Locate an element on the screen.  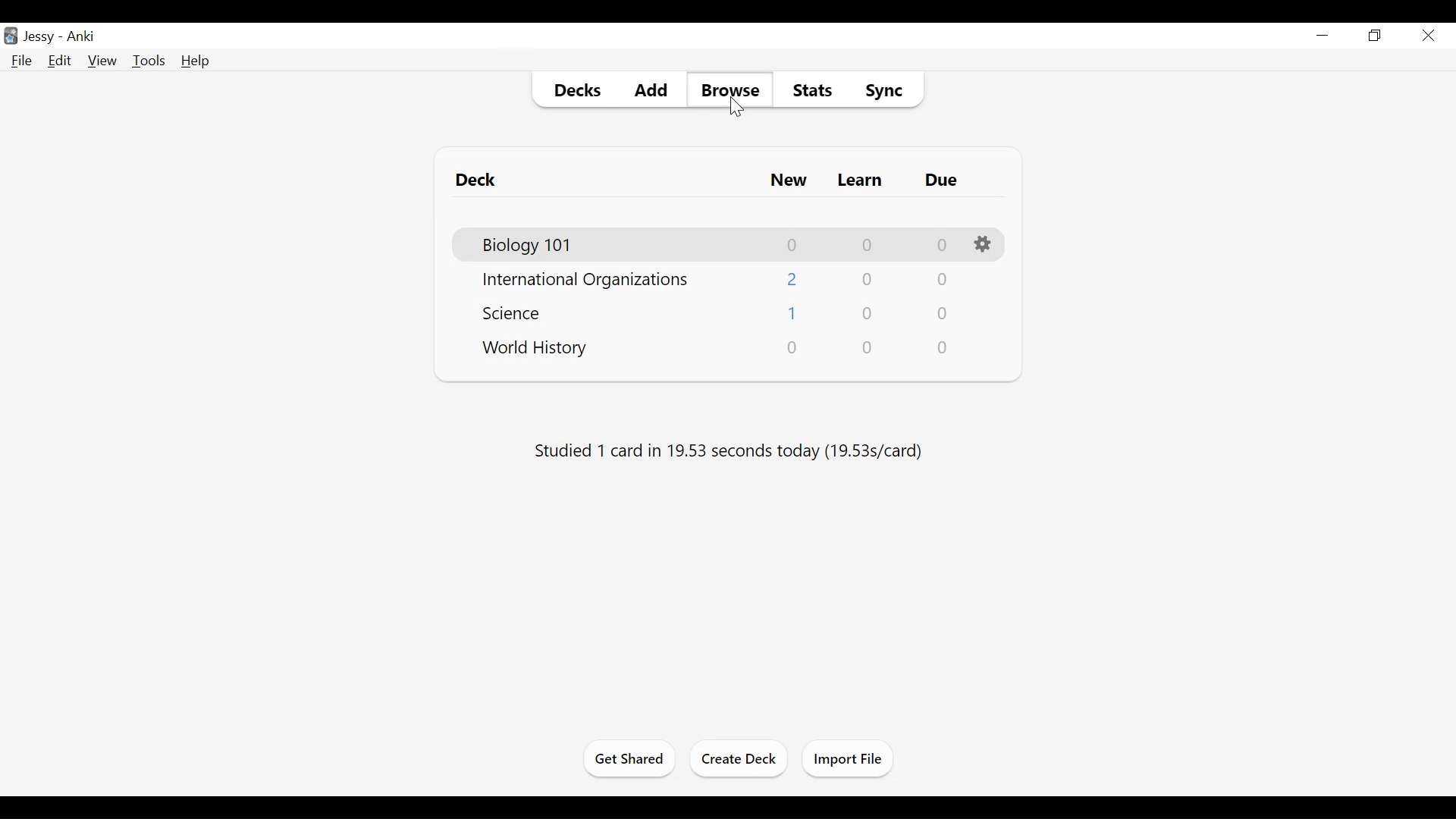
Due Card is located at coordinates (945, 180).